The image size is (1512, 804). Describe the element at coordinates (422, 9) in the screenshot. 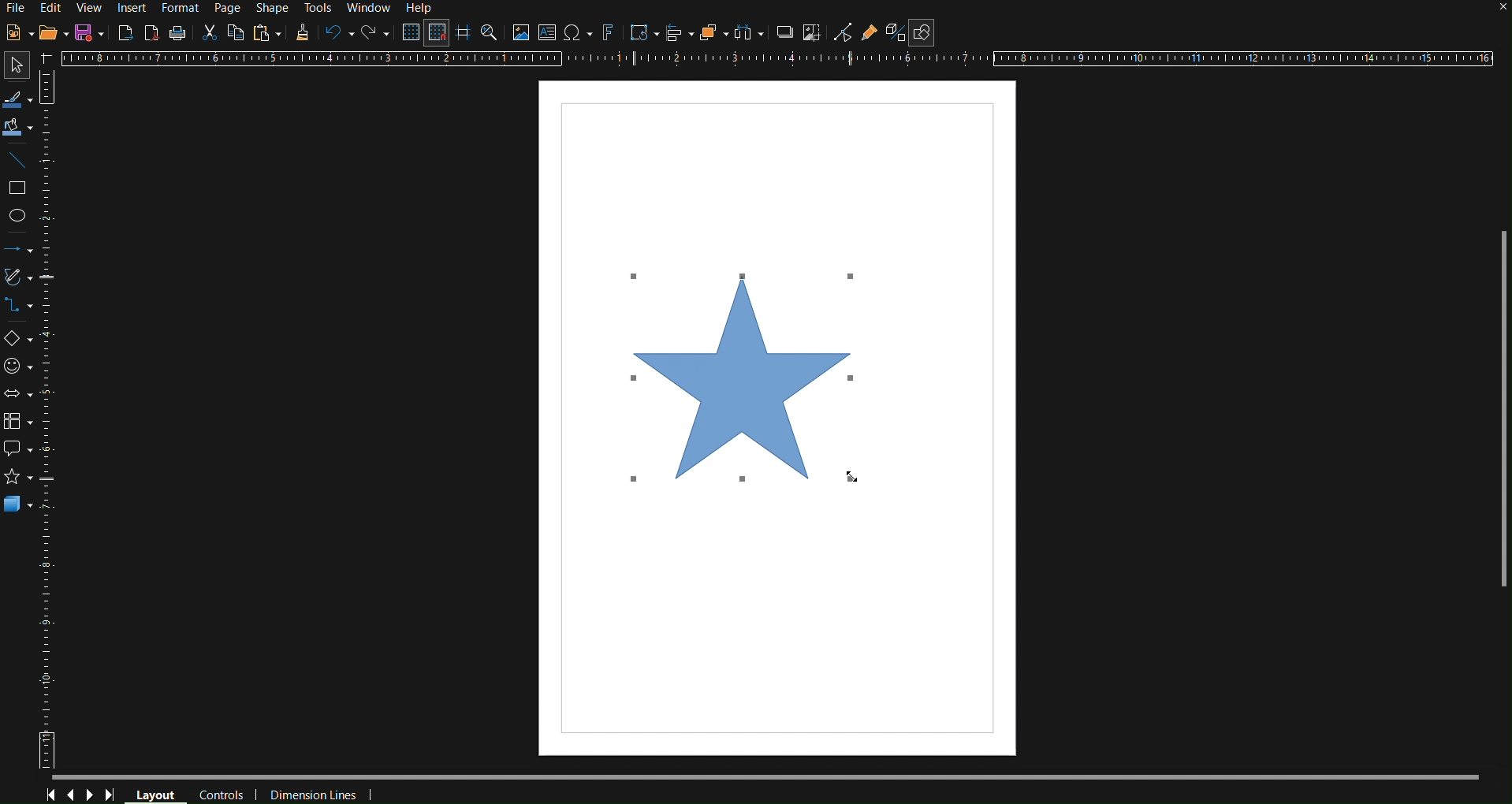

I see `Help` at that location.